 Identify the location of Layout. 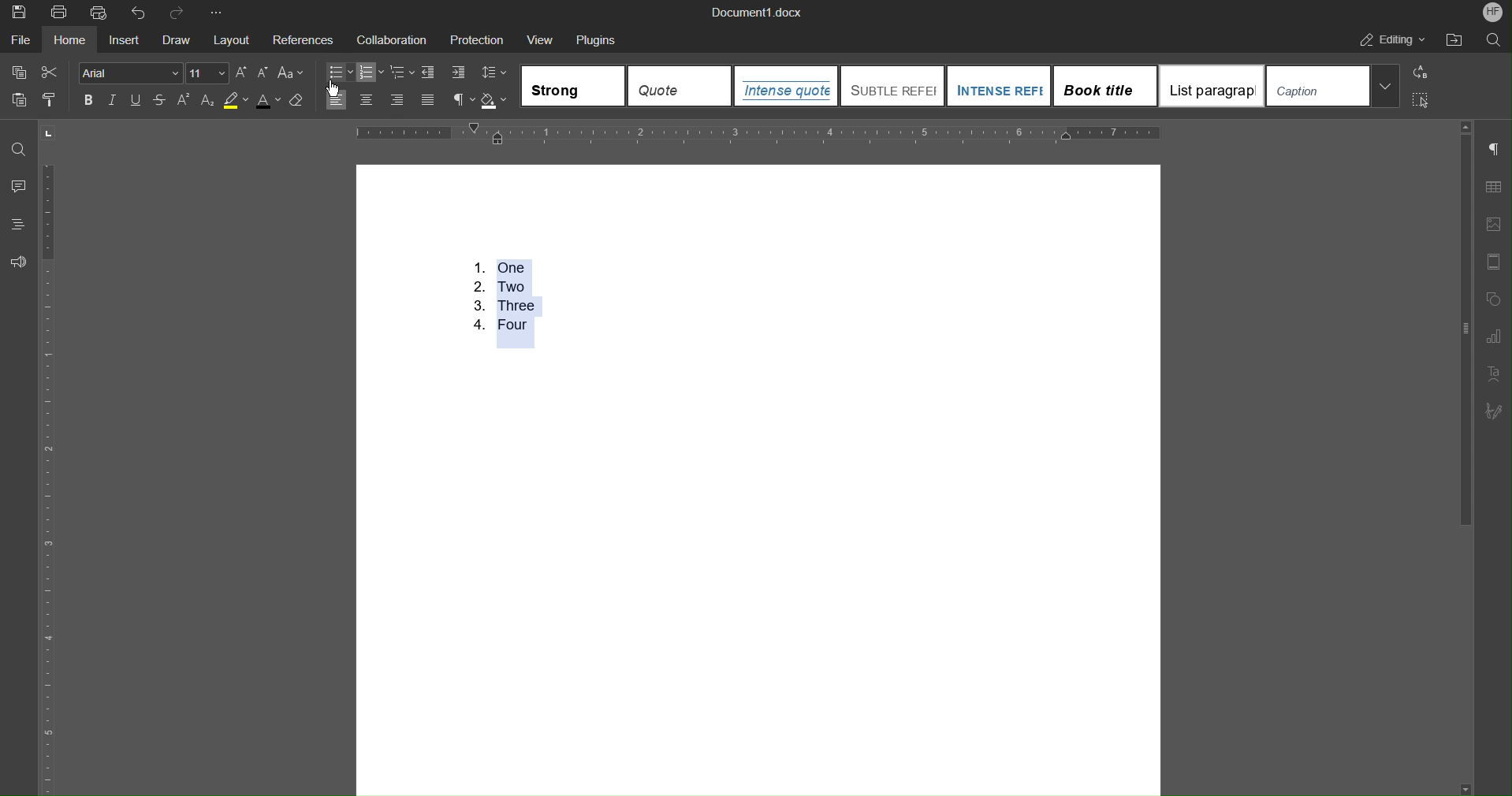
(232, 36).